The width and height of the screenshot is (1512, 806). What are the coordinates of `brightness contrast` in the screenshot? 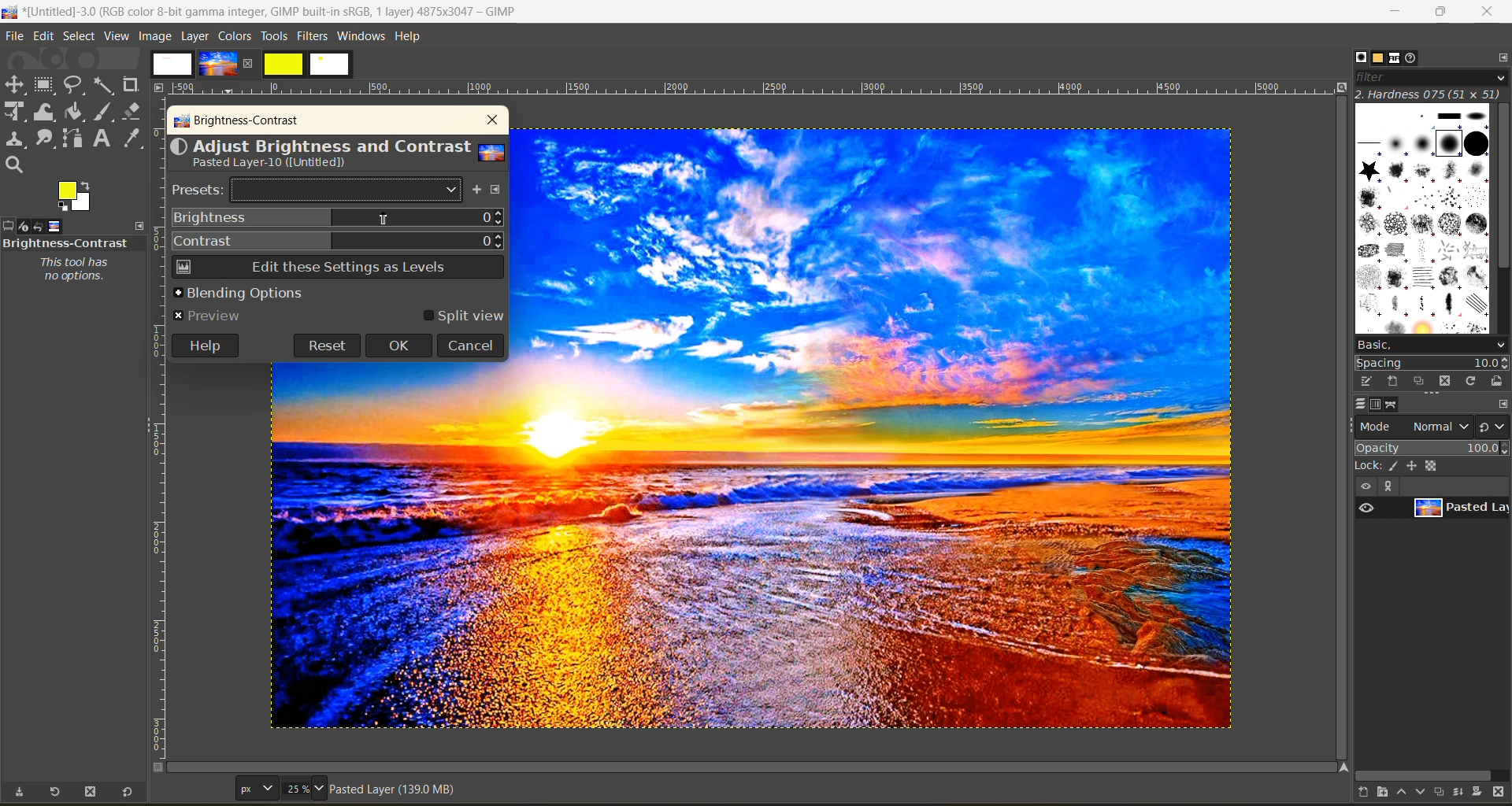 It's located at (238, 122).